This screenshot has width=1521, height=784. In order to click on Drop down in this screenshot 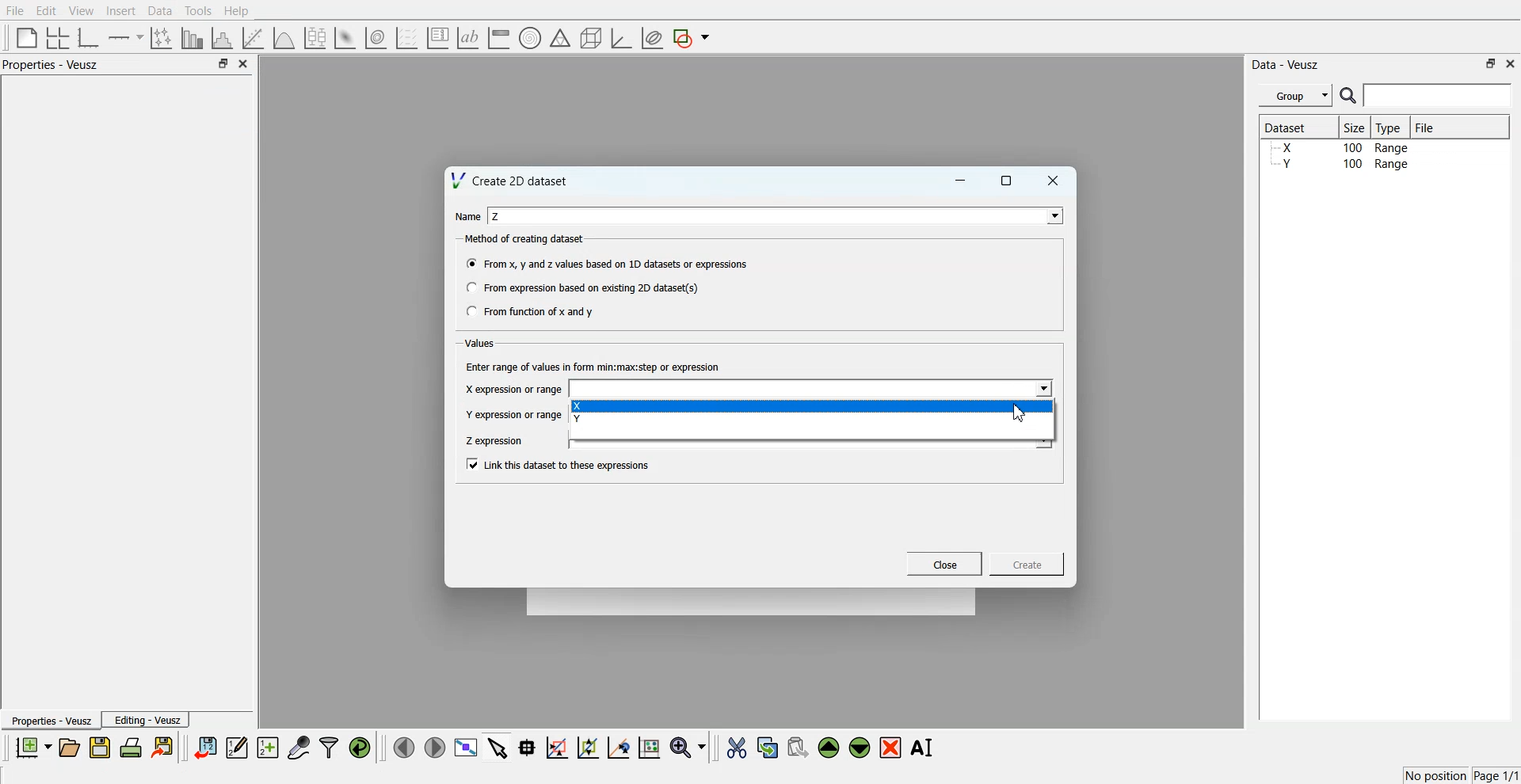, I will do `click(1042, 390)`.